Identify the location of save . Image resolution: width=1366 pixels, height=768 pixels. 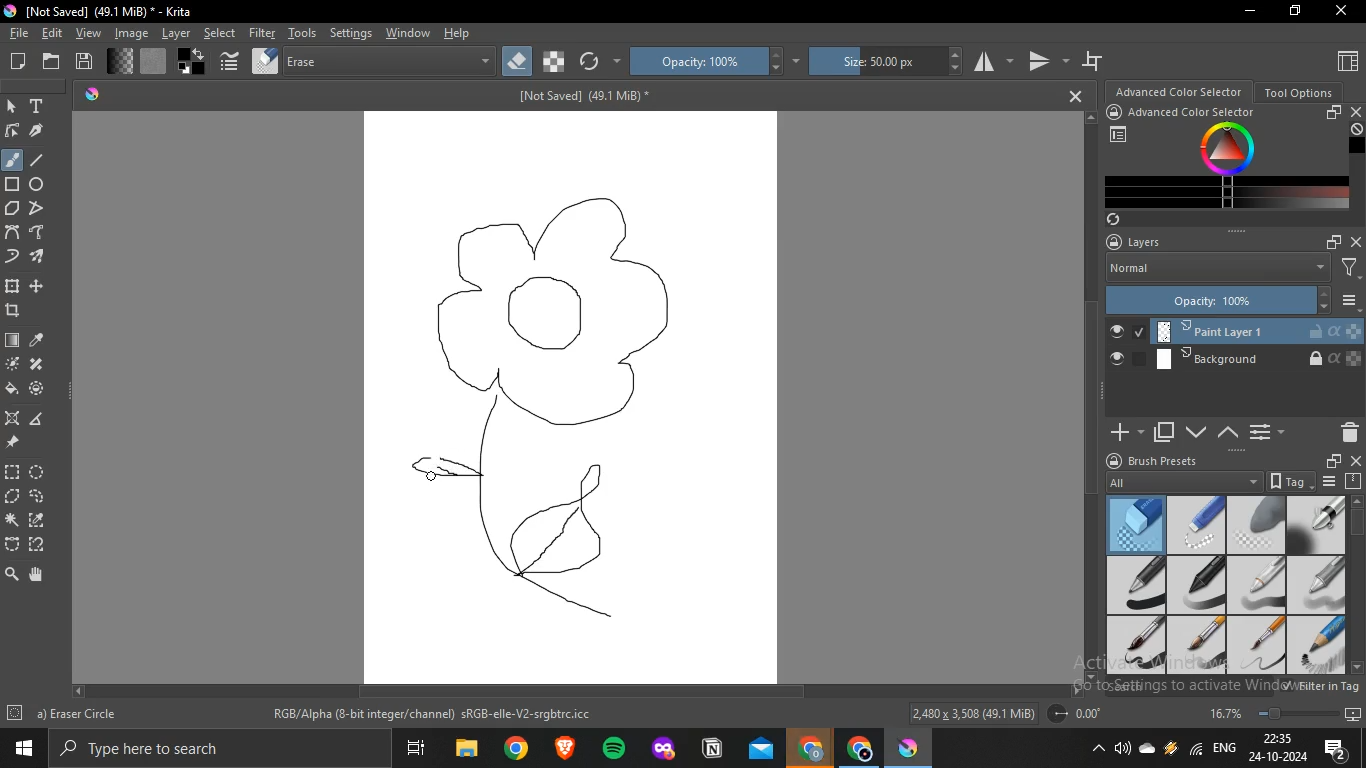
(85, 61).